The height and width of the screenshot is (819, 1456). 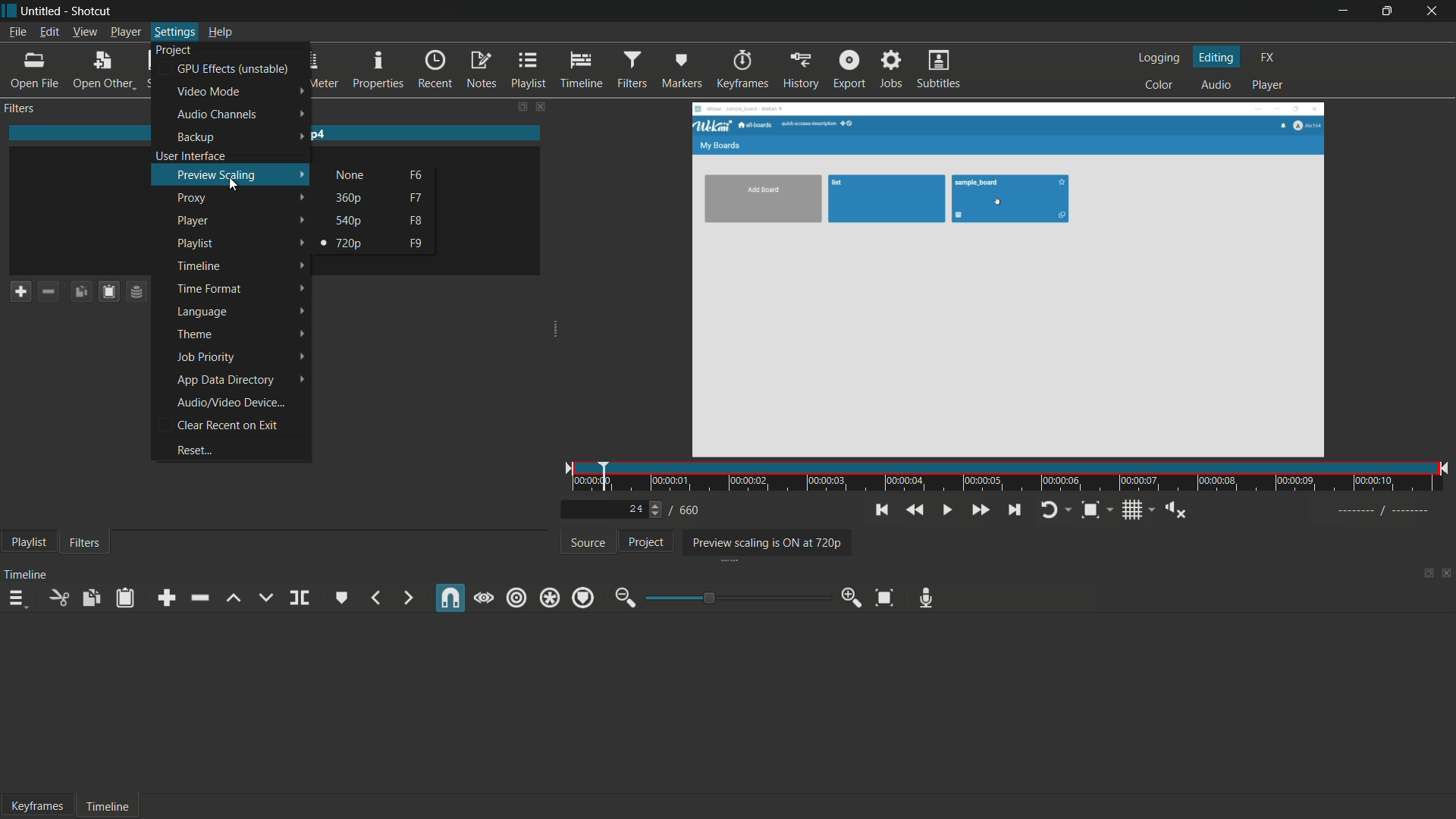 I want to click on theme, so click(x=196, y=333).